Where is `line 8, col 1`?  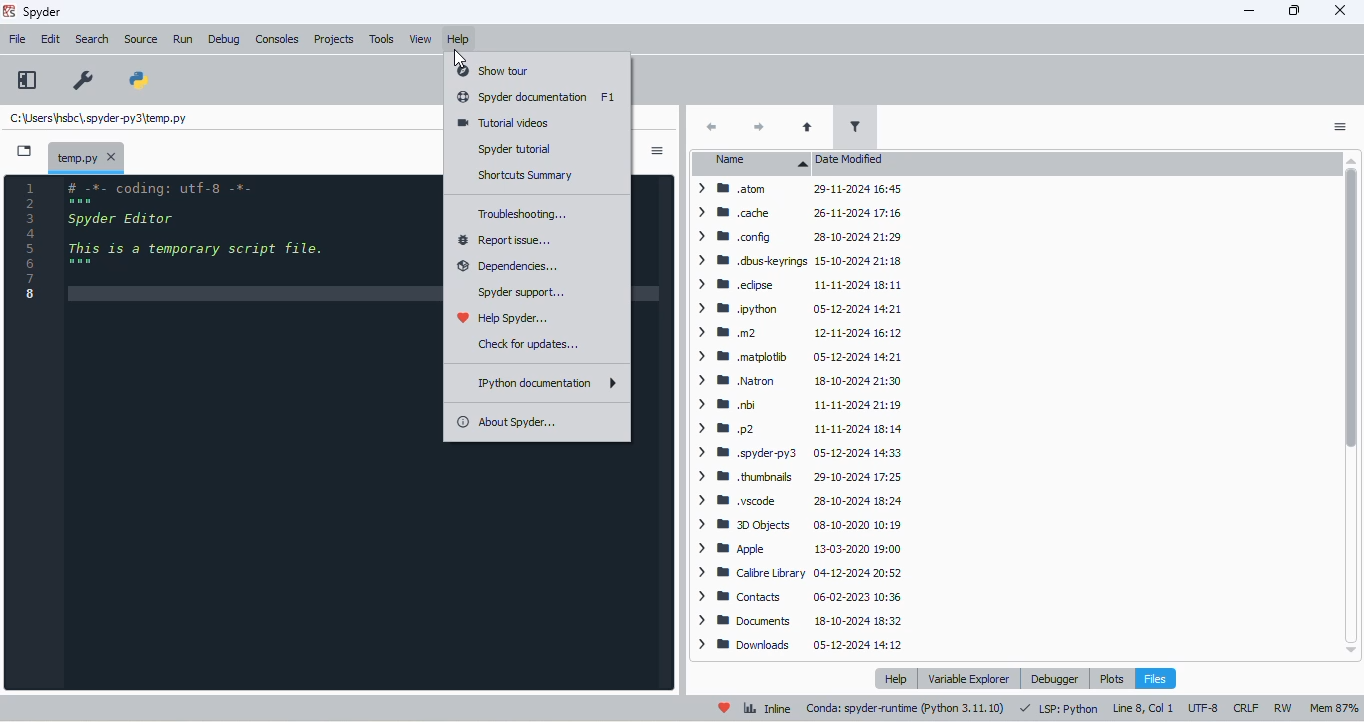
line 8, col 1 is located at coordinates (1142, 709).